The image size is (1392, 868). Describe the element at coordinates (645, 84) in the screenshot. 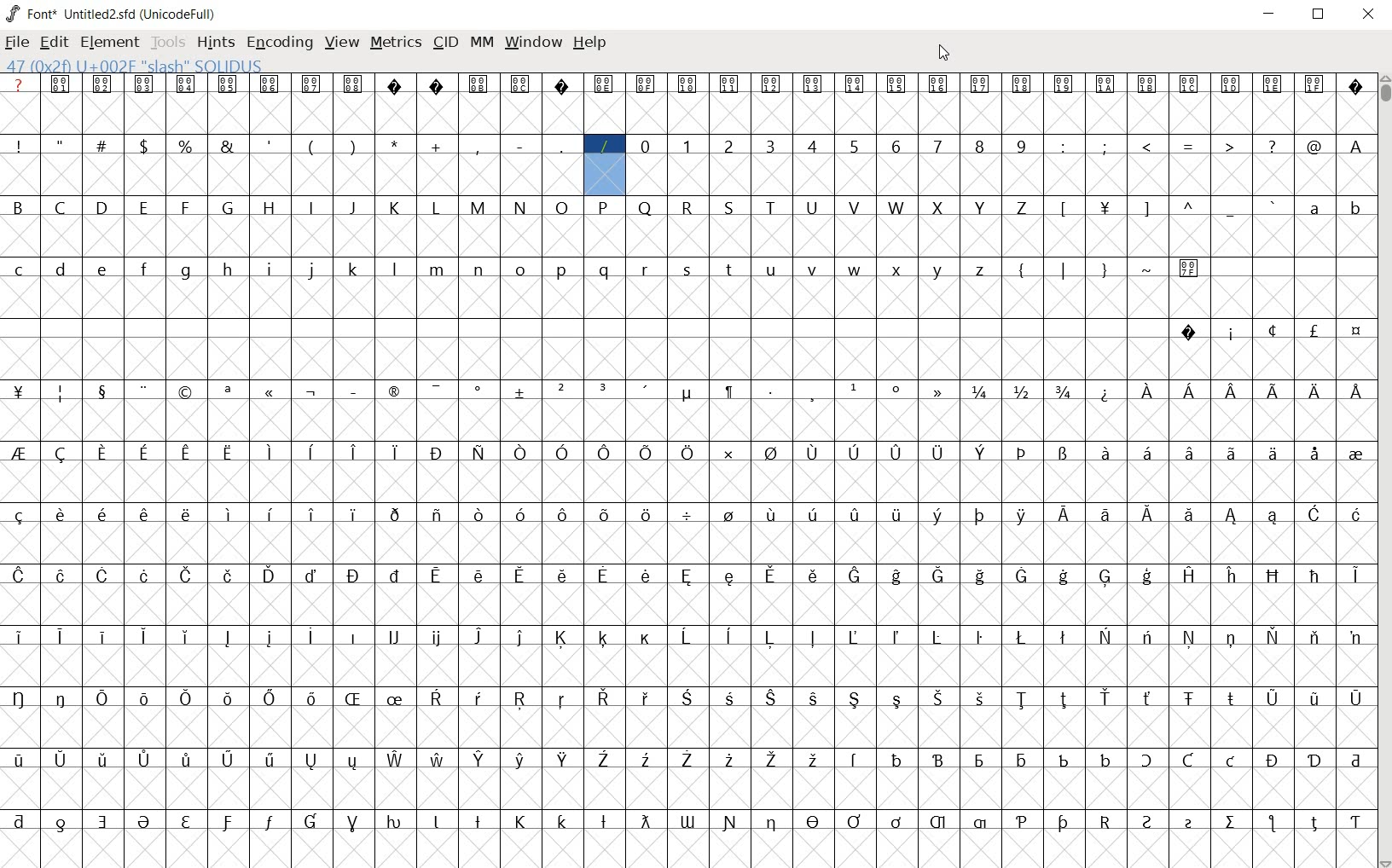

I see `glyph` at that location.